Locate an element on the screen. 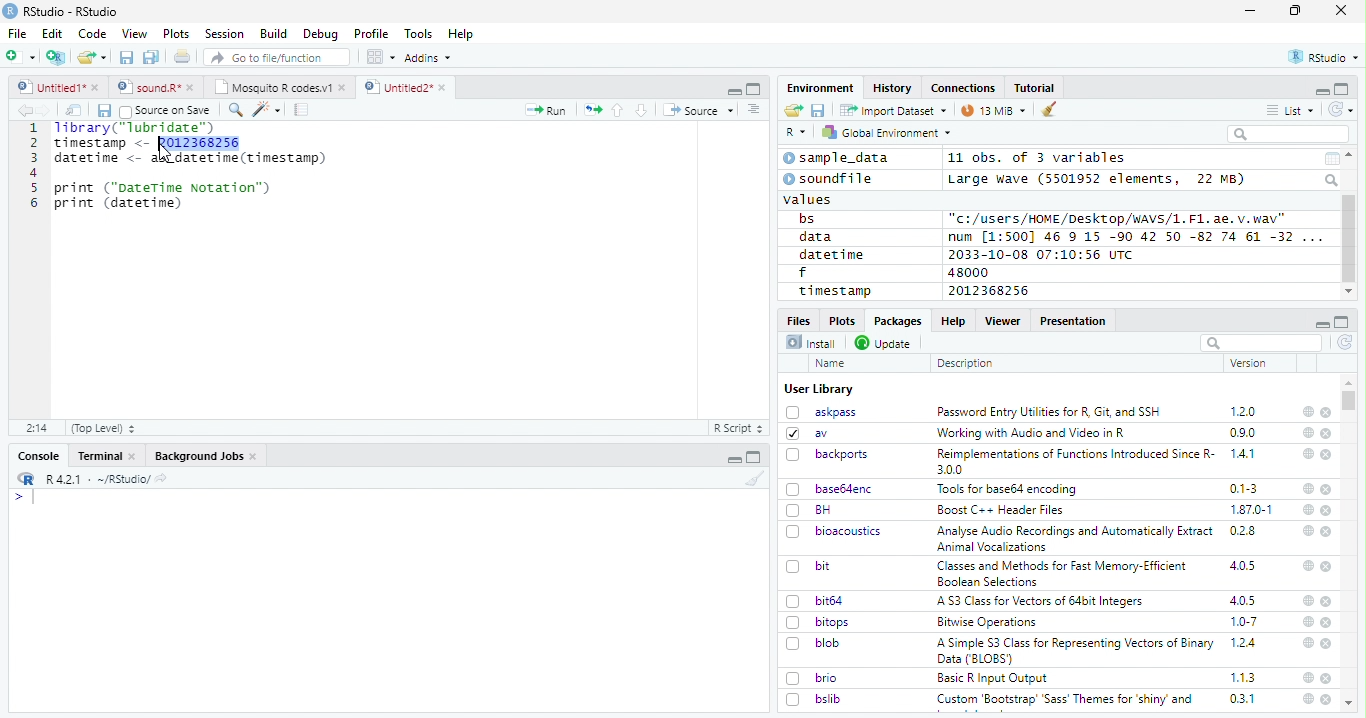 The image size is (1366, 718). Addins is located at coordinates (428, 58).